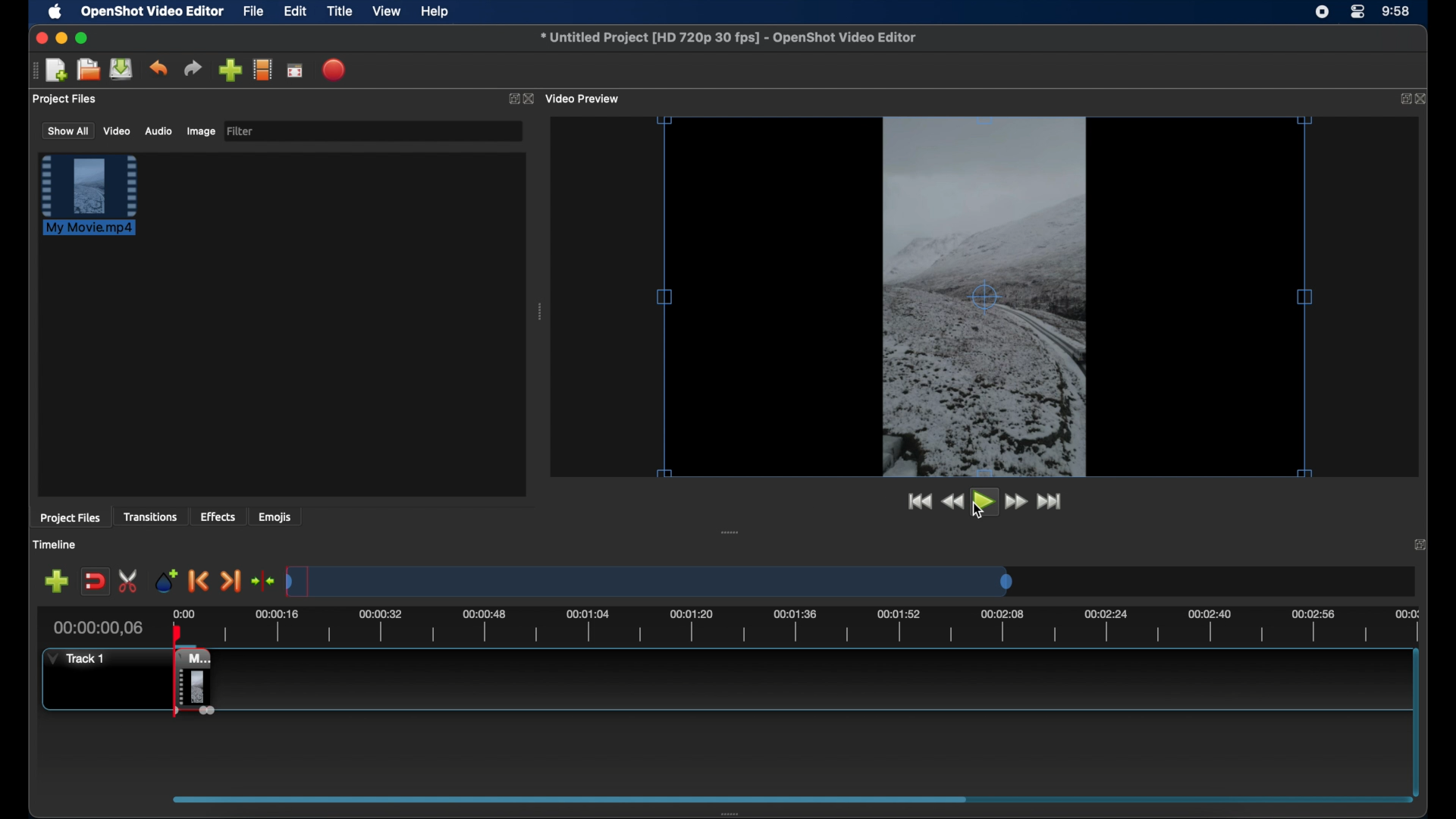 This screenshot has height=819, width=1456. What do you see at coordinates (80, 658) in the screenshot?
I see `track 1` at bounding box center [80, 658].